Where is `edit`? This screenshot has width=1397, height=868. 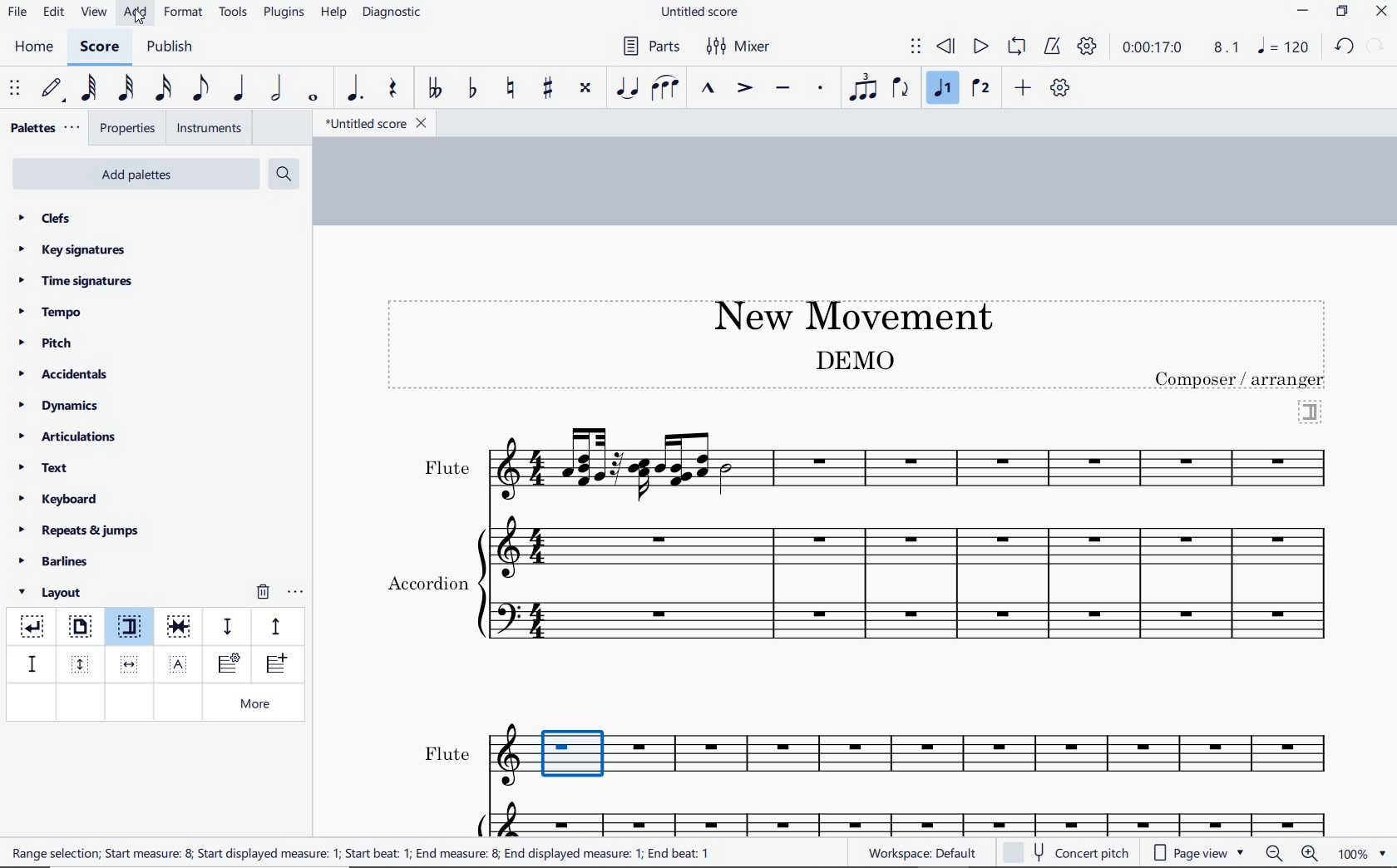
edit is located at coordinates (52, 12).